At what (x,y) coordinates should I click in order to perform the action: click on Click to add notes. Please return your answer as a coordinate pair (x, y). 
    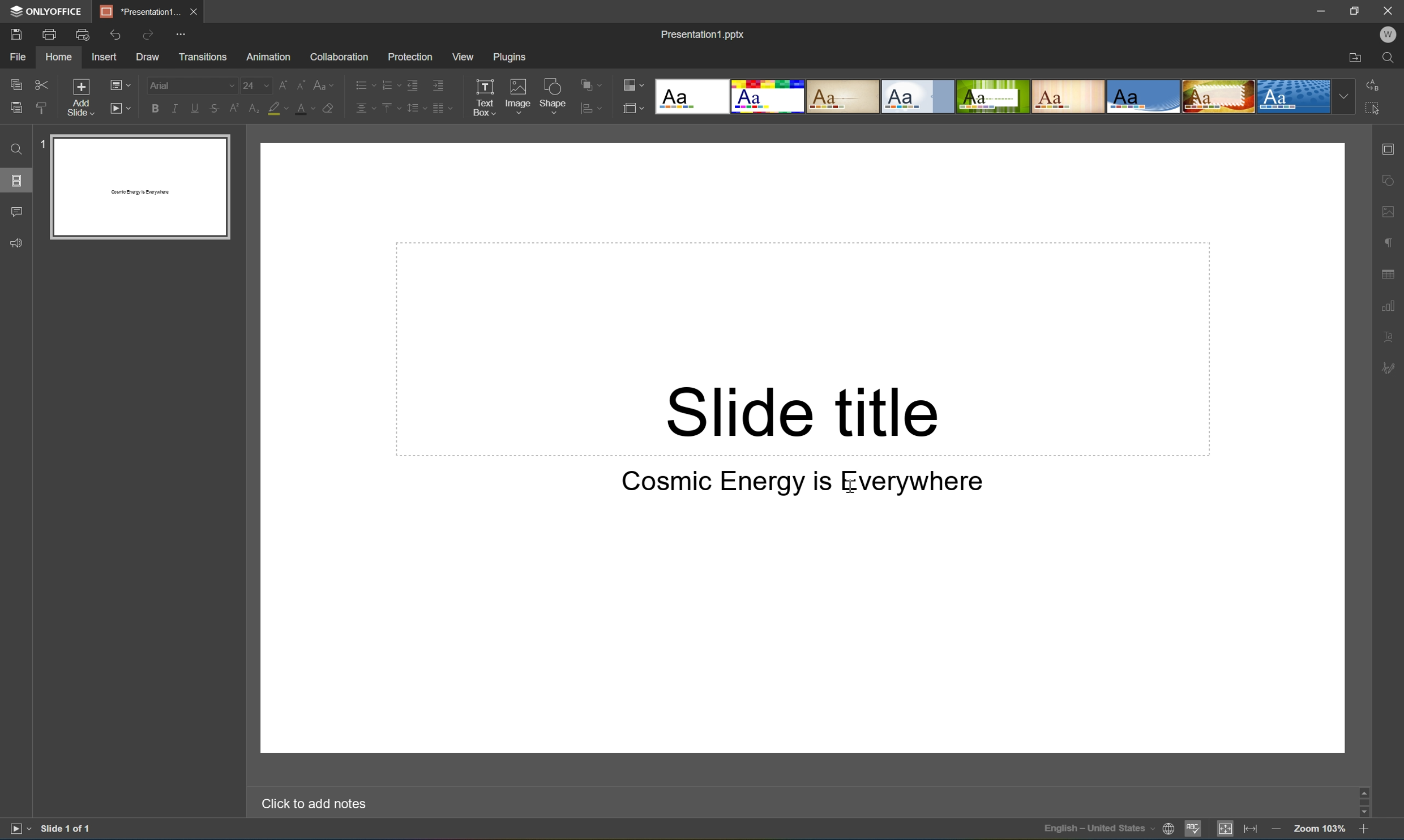
    Looking at the image, I should click on (314, 806).